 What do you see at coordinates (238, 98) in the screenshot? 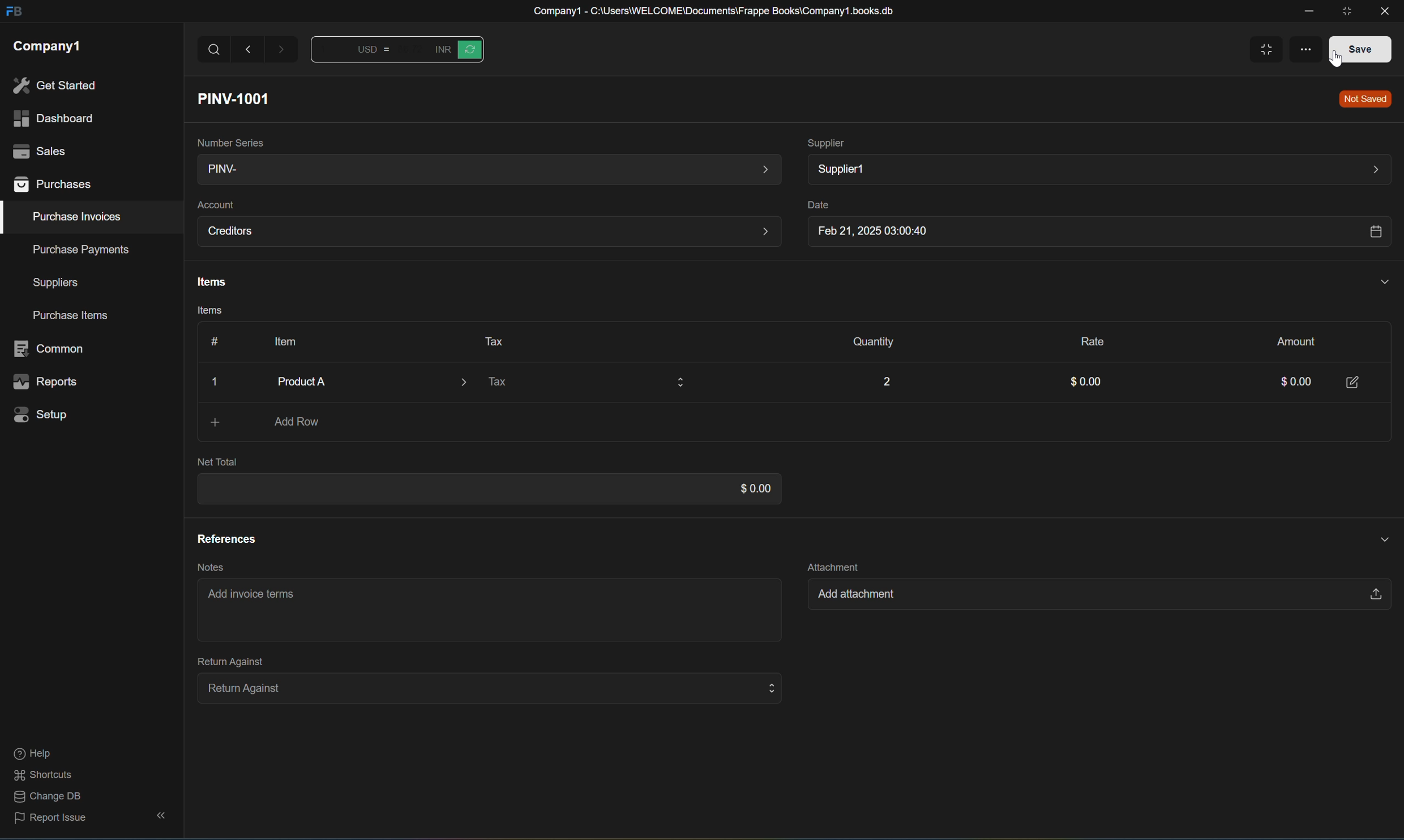
I see `PINV-1001` at bounding box center [238, 98].